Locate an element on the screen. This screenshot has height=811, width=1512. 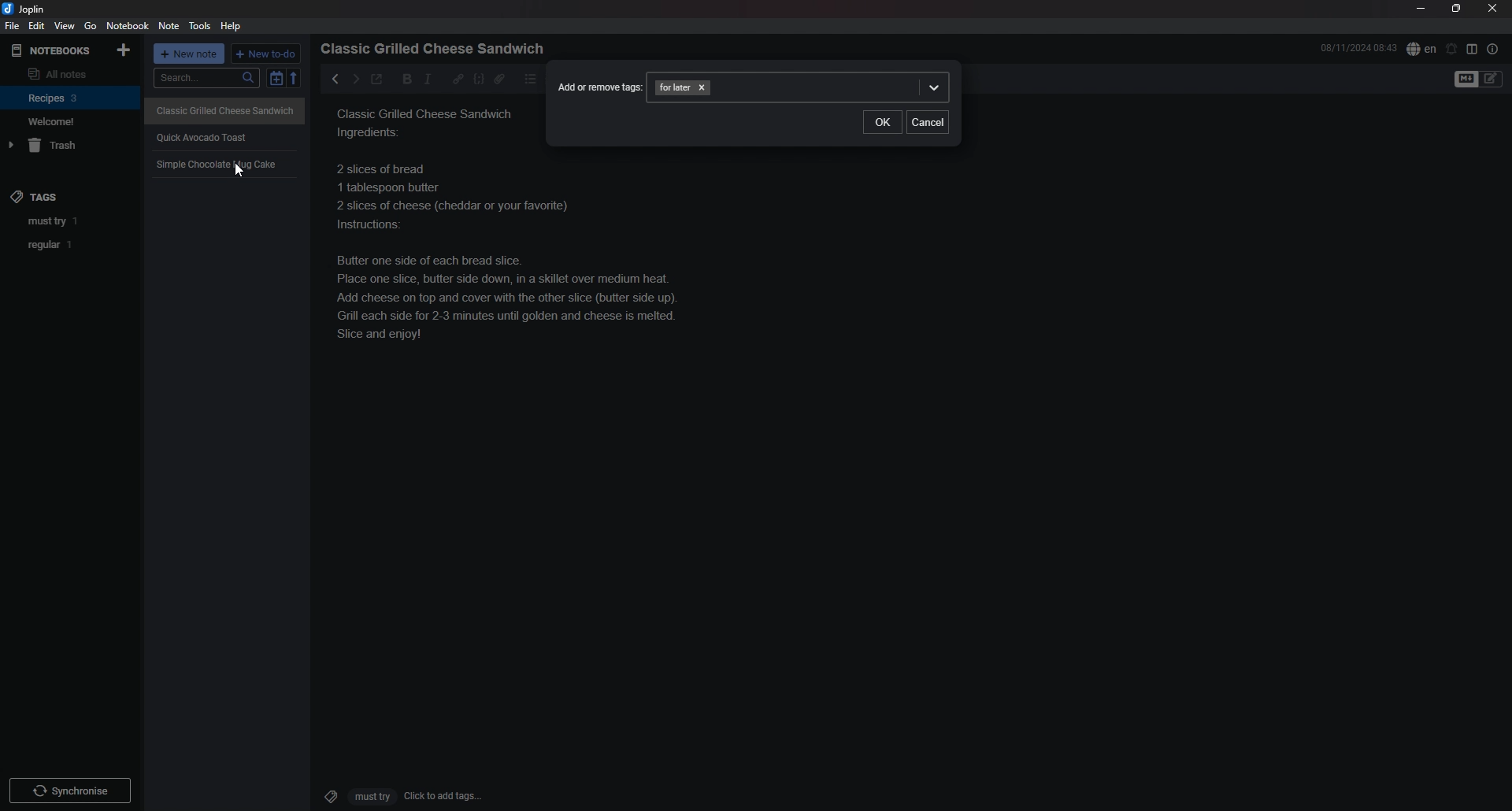
close is located at coordinates (1494, 8).